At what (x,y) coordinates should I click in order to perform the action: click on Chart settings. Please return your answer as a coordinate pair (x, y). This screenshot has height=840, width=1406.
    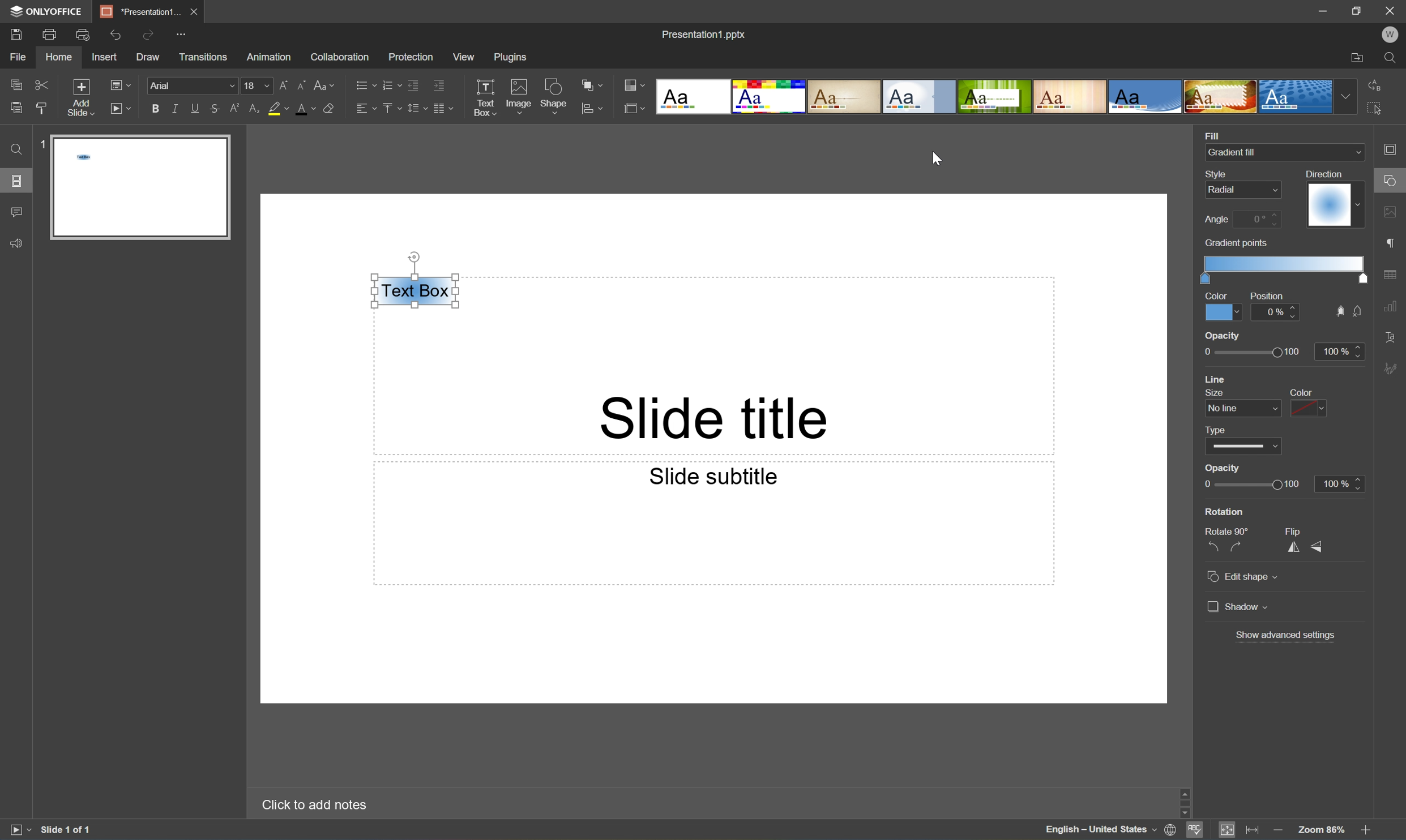
    Looking at the image, I should click on (1395, 310).